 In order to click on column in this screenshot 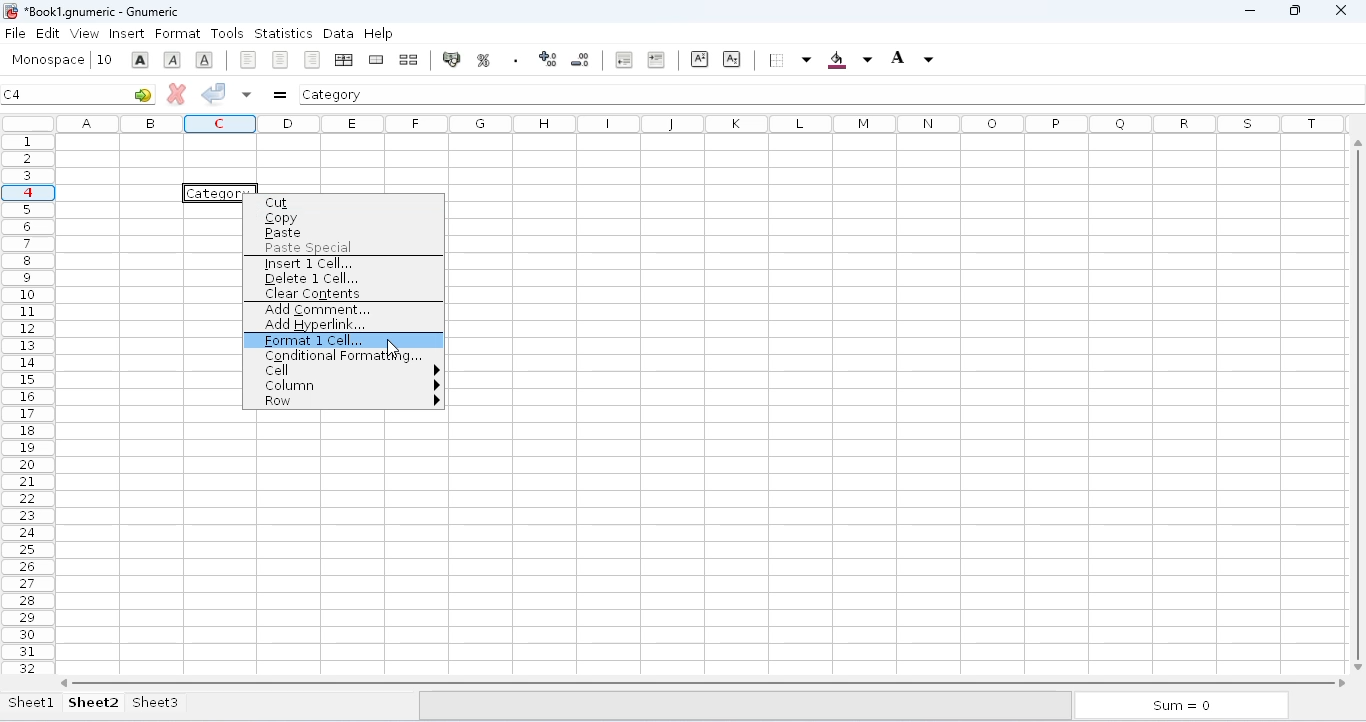, I will do `click(351, 386)`.